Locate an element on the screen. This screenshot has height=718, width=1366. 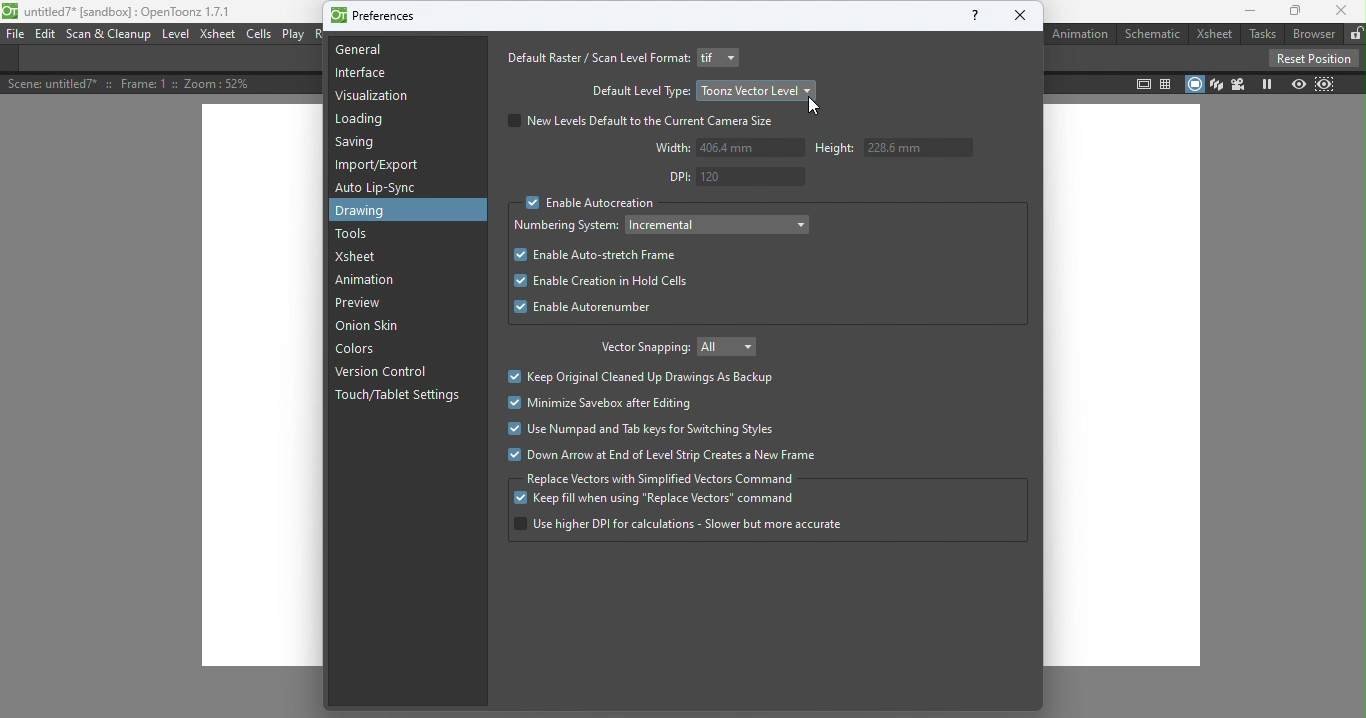
Loading is located at coordinates (361, 120).